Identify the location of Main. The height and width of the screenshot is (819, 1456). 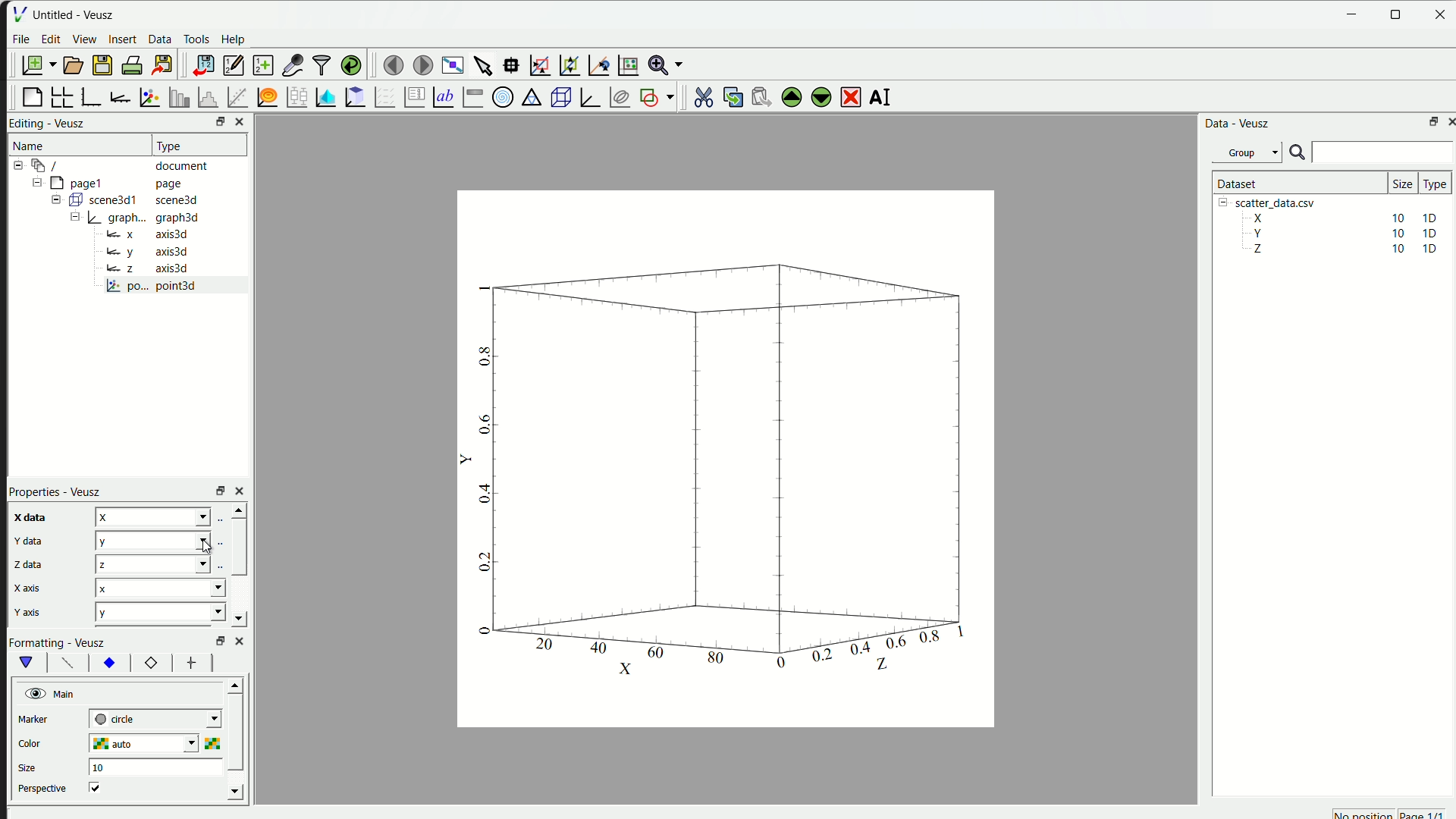
(54, 692).